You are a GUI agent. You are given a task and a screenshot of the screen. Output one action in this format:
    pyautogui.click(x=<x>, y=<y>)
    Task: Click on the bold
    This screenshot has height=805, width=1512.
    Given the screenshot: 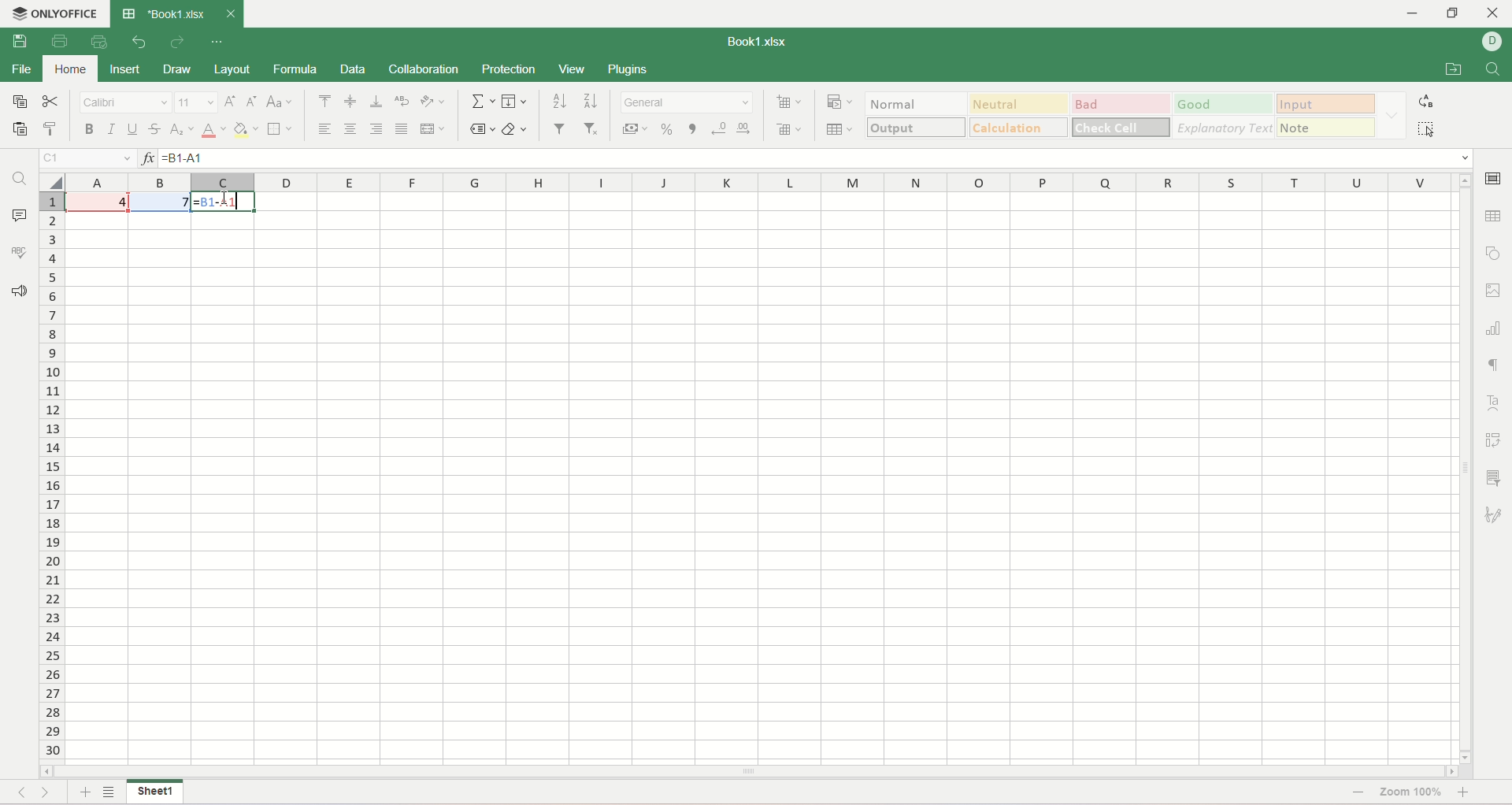 What is the action you would take?
    pyautogui.click(x=90, y=129)
    